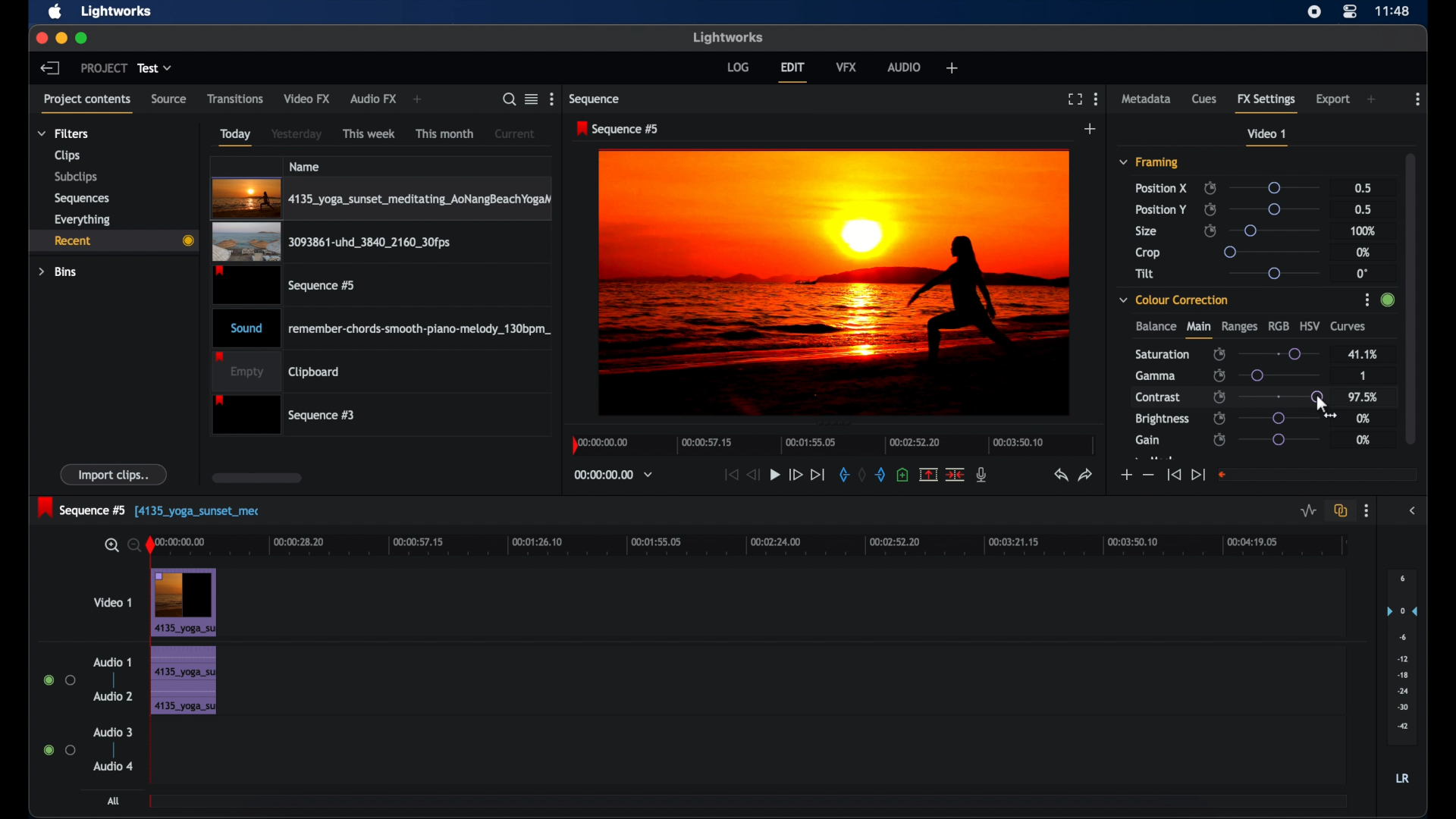 The height and width of the screenshot is (819, 1456). Describe the element at coordinates (1418, 99) in the screenshot. I see `more options` at that location.